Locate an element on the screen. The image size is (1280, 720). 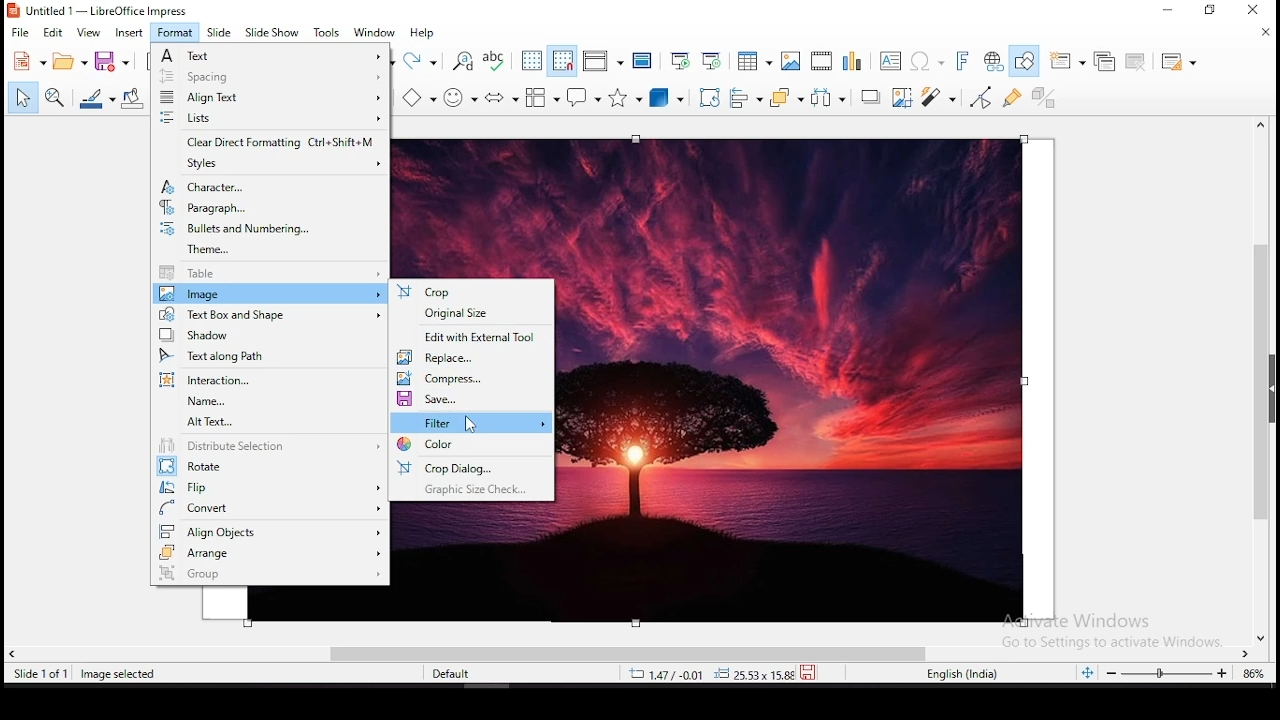
scroll bar is located at coordinates (631, 652).